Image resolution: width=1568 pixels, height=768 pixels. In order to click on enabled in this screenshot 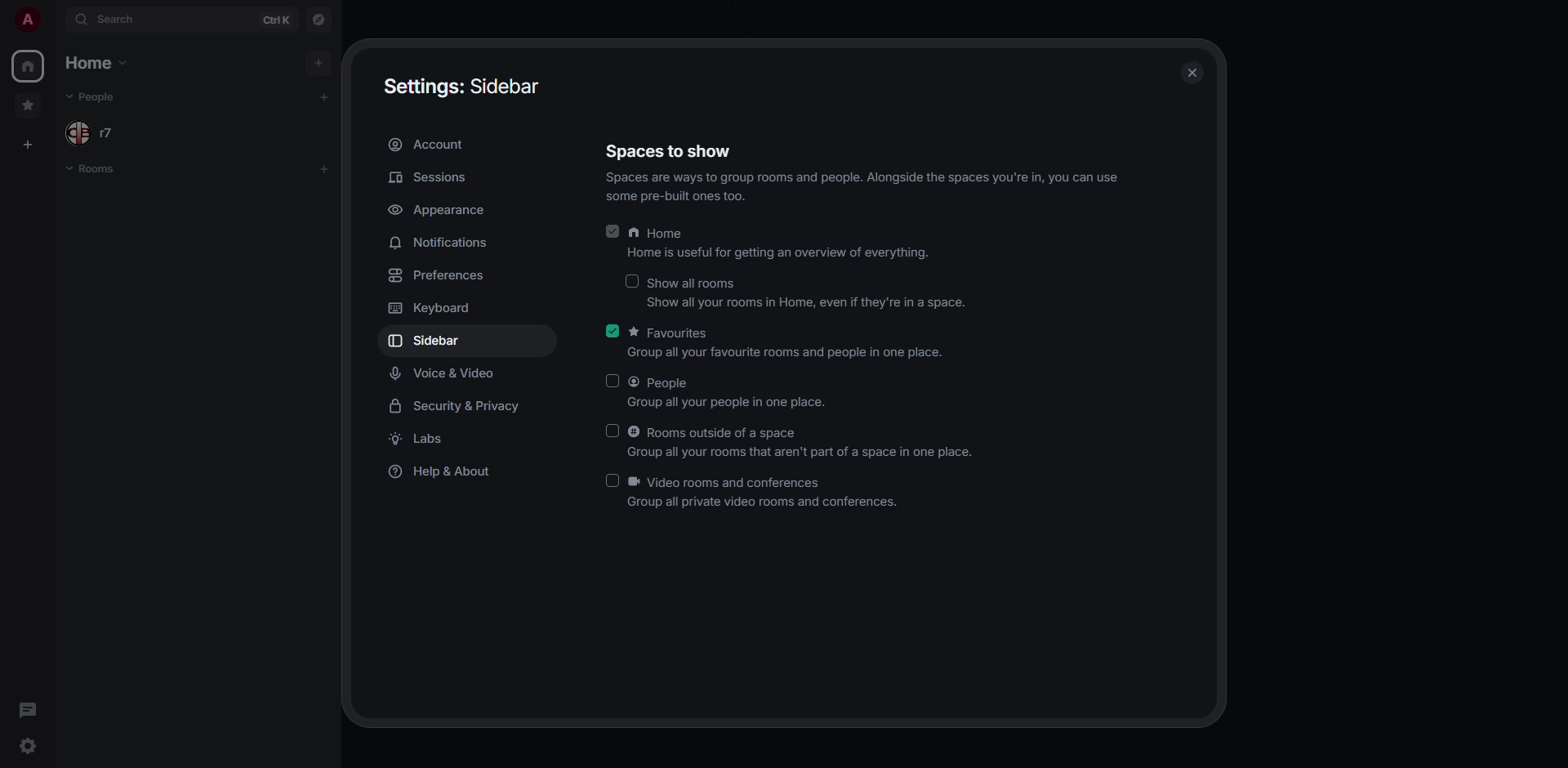, I will do `click(610, 330)`.